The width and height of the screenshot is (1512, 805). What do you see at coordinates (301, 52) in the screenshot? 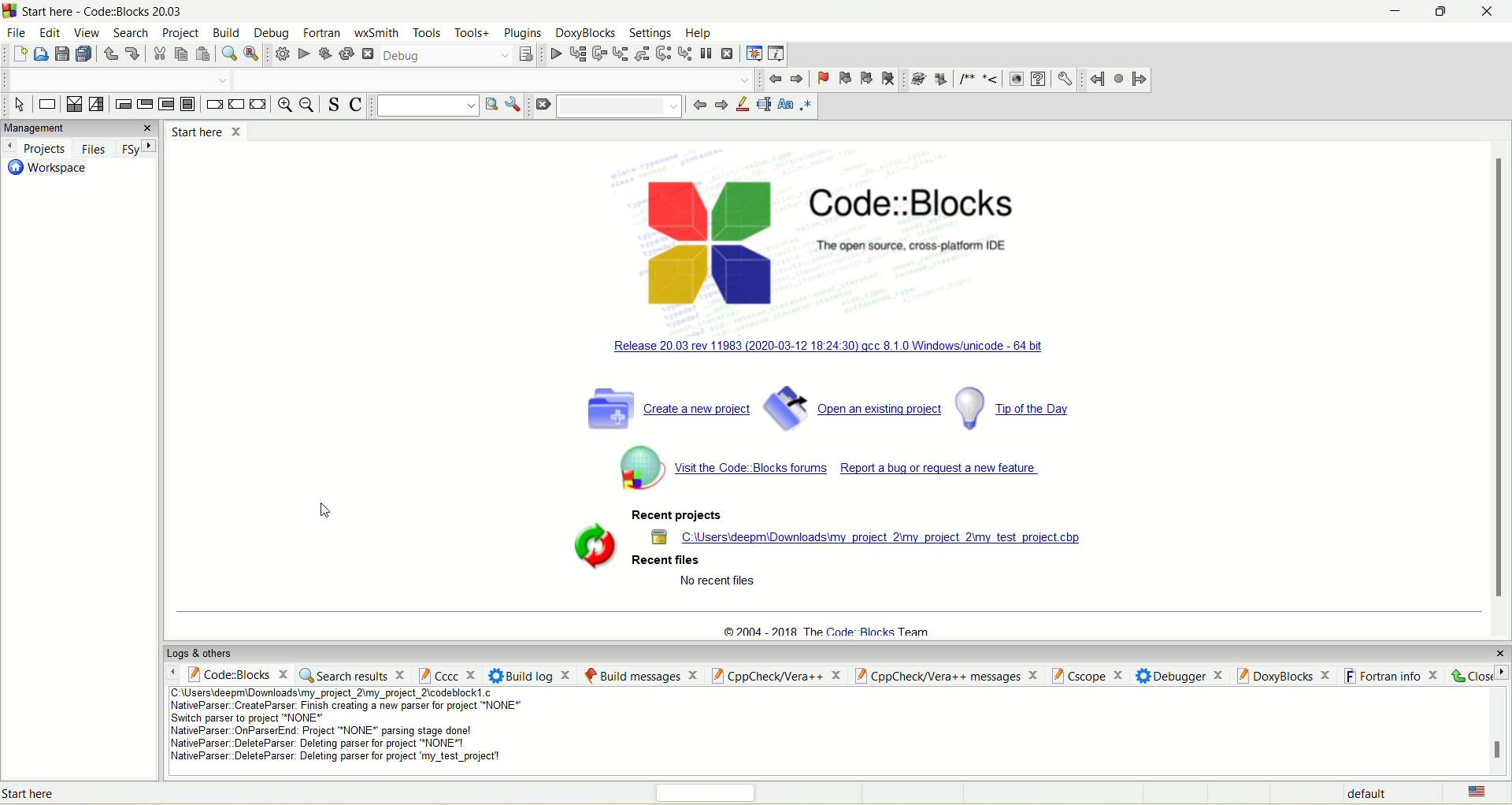
I see `run` at bounding box center [301, 52].